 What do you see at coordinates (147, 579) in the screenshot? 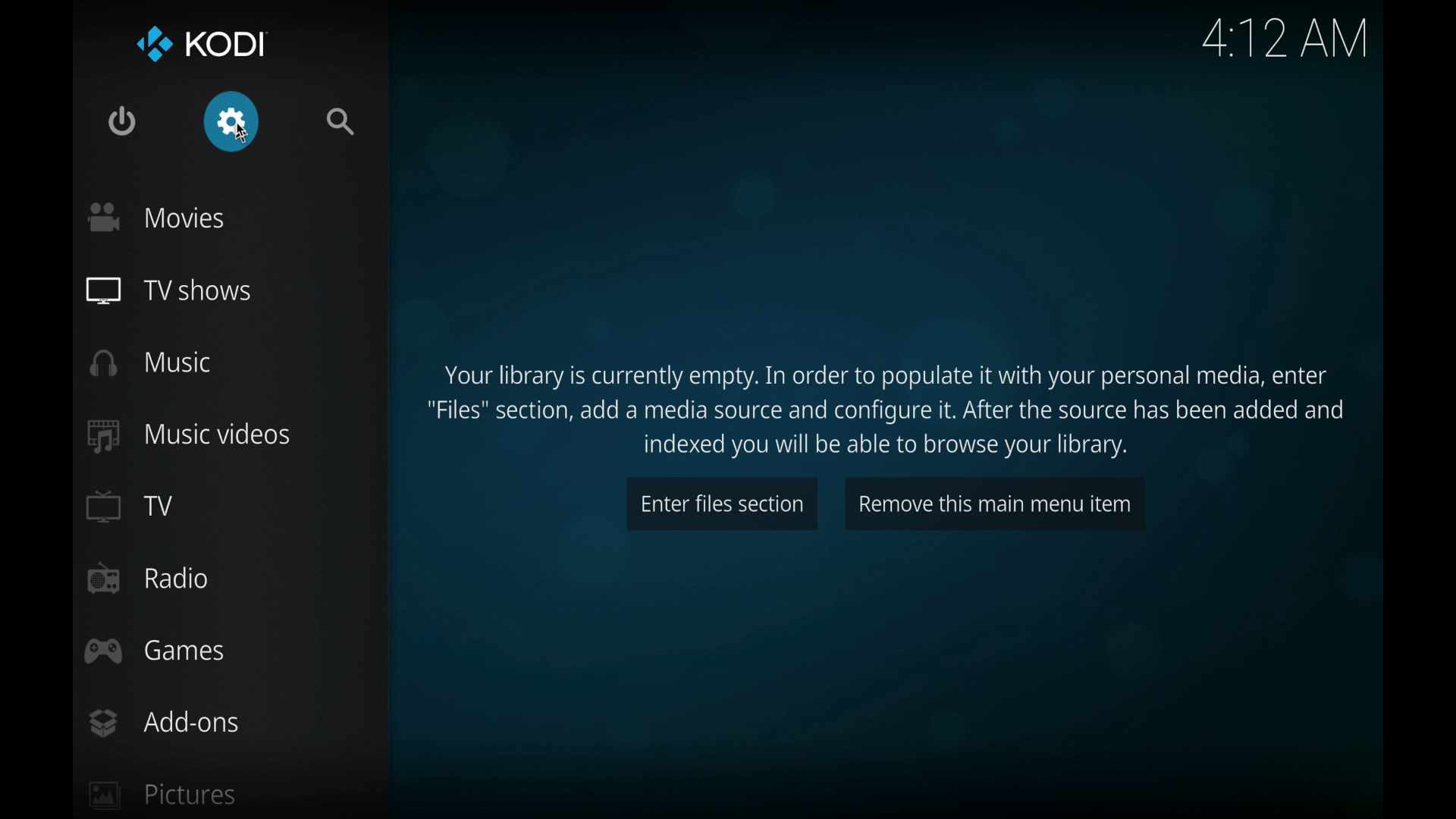
I see `radio` at bounding box center [147, 579].